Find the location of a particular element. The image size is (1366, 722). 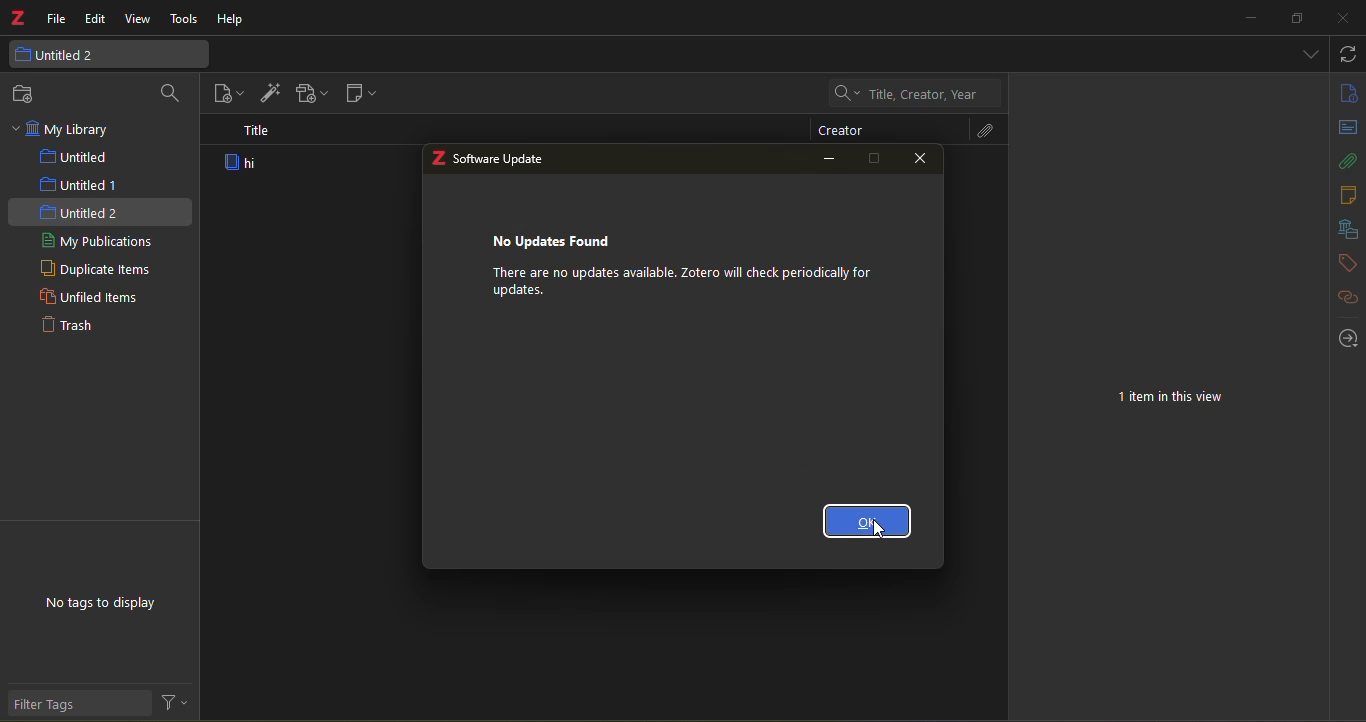

add attach is located at coordinates (312, 93).